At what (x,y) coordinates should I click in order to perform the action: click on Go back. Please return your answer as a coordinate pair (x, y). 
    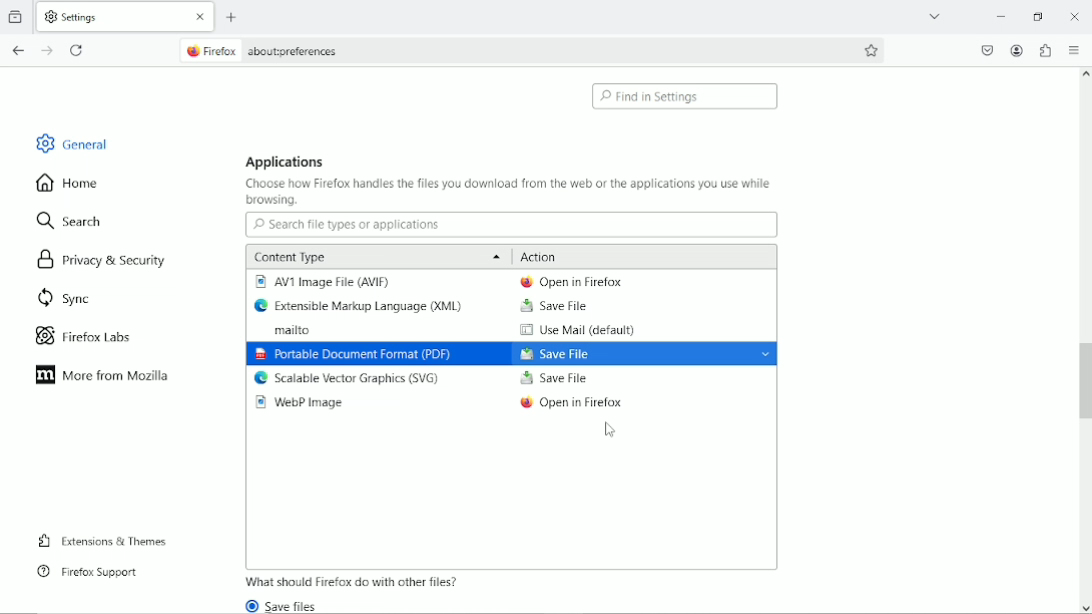
    Looking at the image, I should click on (18, 51).